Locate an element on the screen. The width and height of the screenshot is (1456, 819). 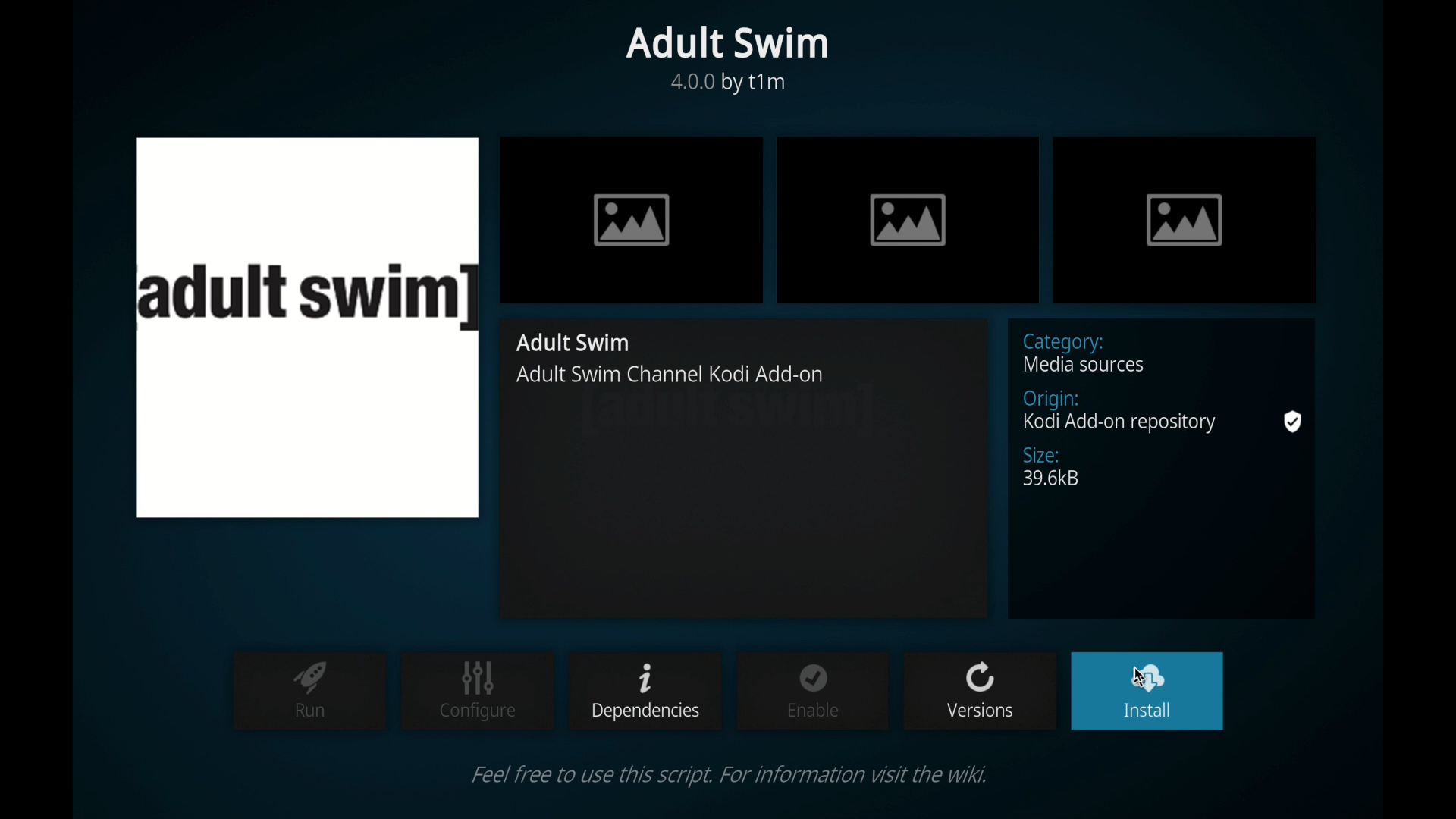
image  icon is located at coordinates (908, 219).